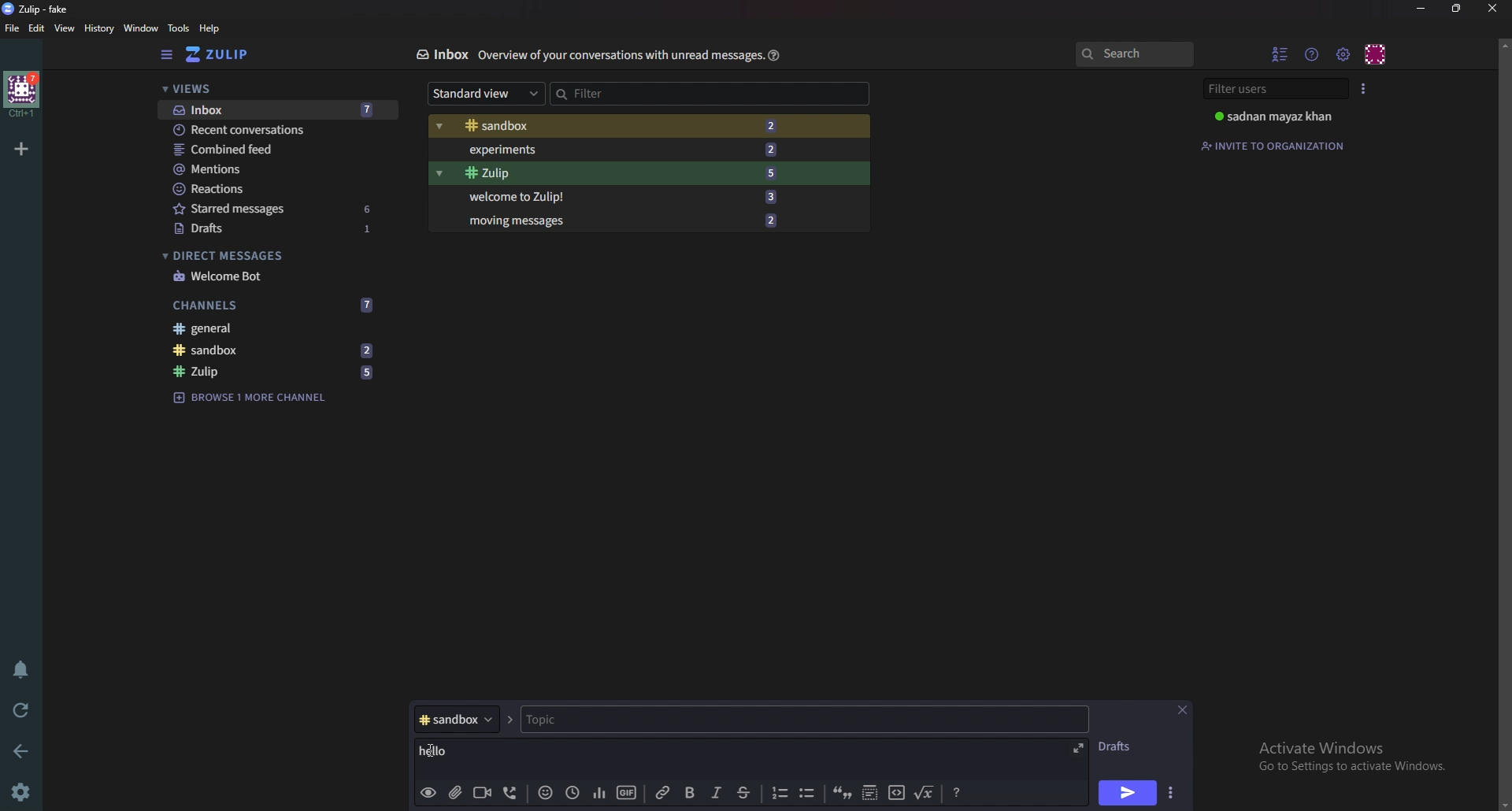 This screenshot has width=1512, height=811. What do you see at coordinates (553, 127) in the screenshot?
I see `# Sandbox` at bounding box center [553, 127].